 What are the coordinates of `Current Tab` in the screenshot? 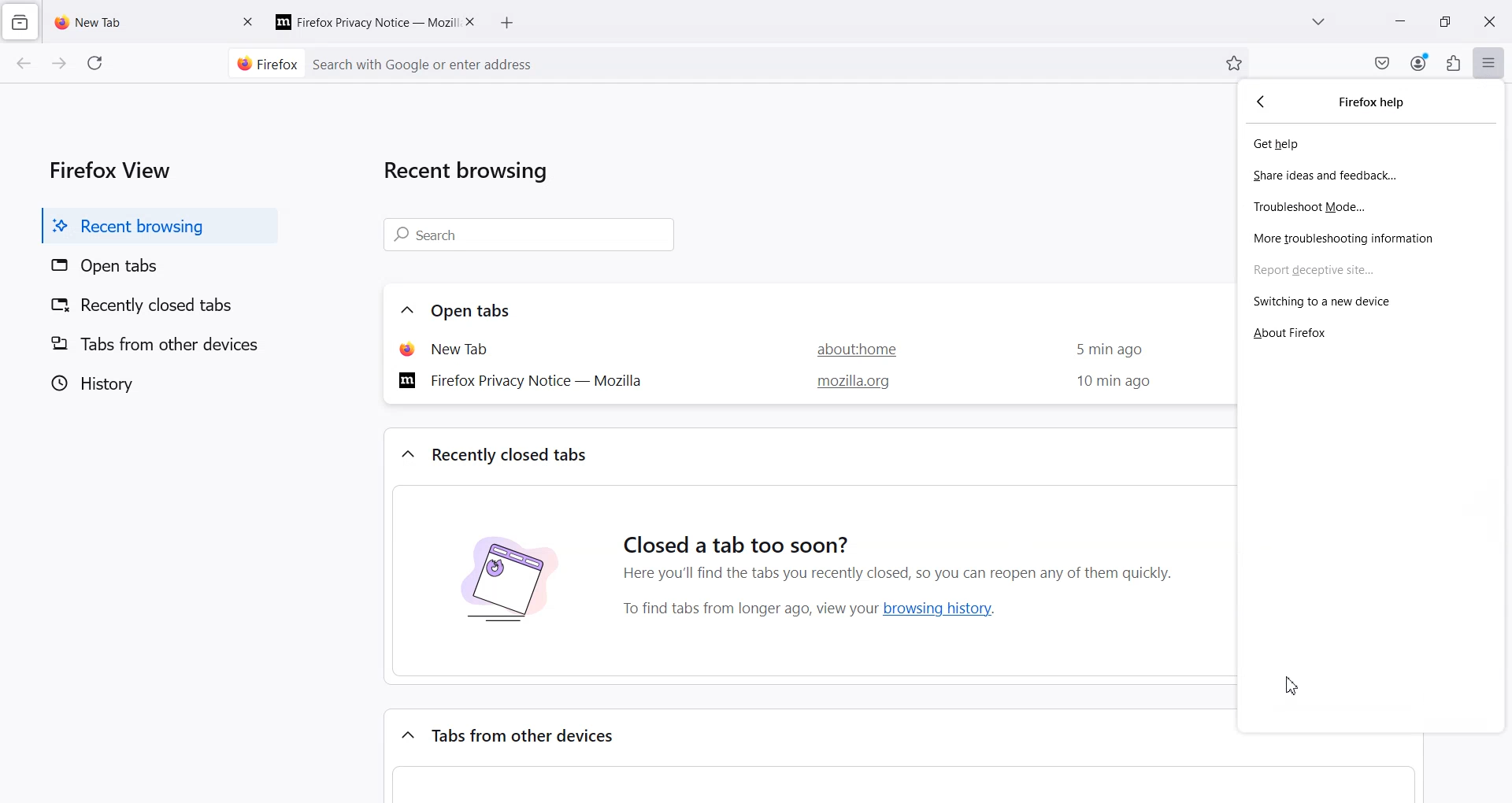 It's located at (133, 20).